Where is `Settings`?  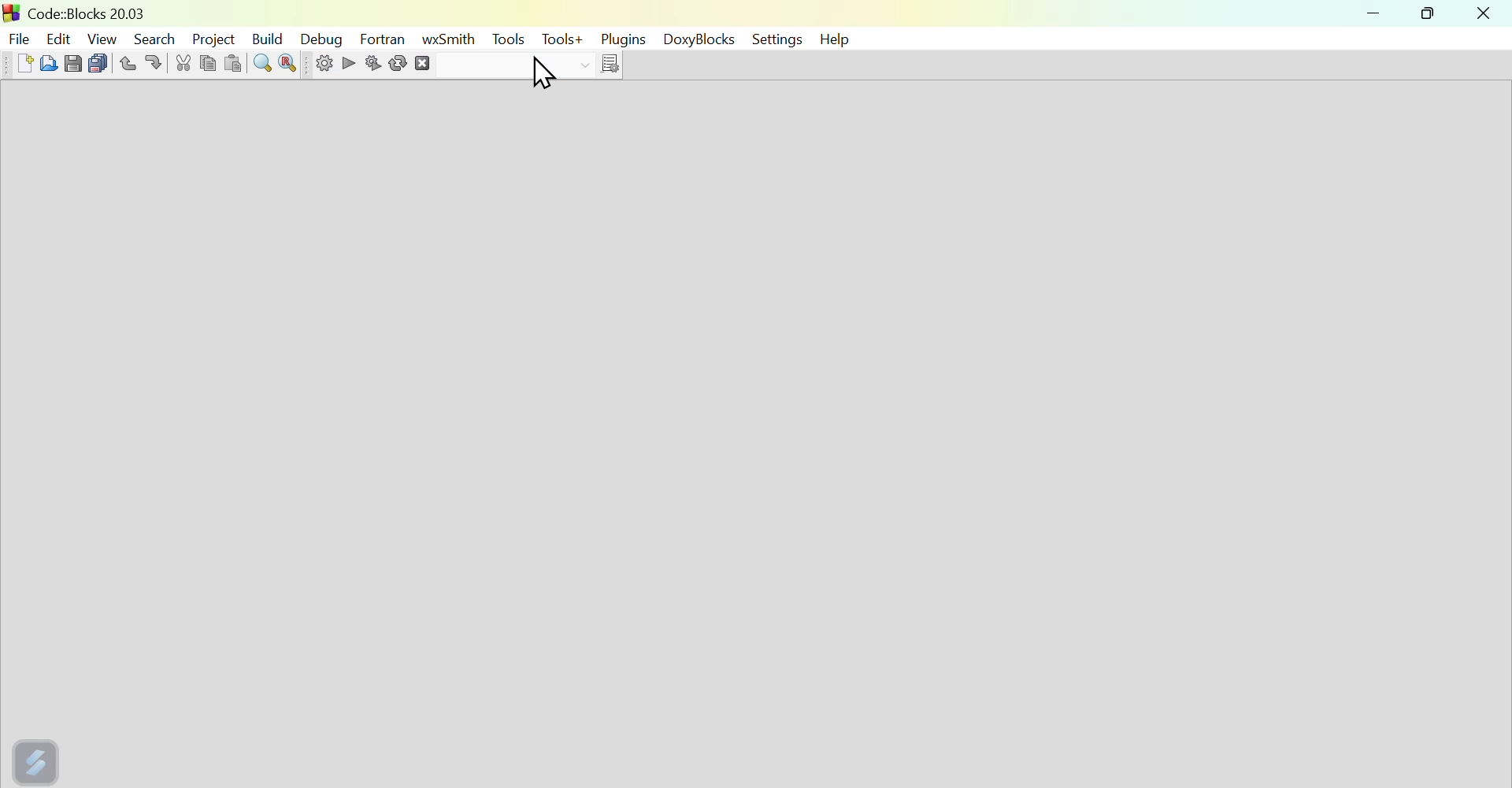
Settings is located at coordinates (774, 39).